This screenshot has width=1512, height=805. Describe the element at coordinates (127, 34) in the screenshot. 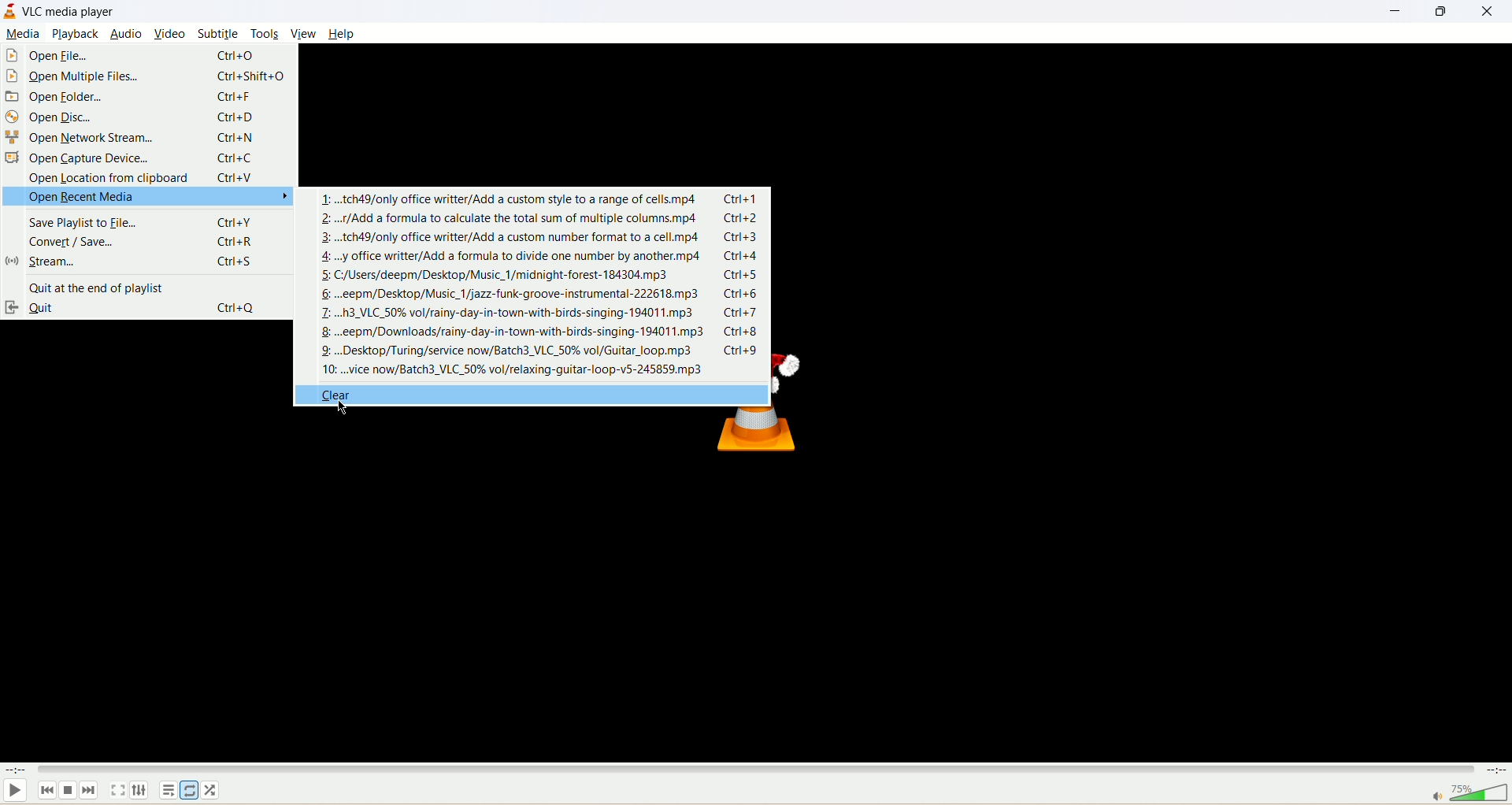

I see `audio` at that location.